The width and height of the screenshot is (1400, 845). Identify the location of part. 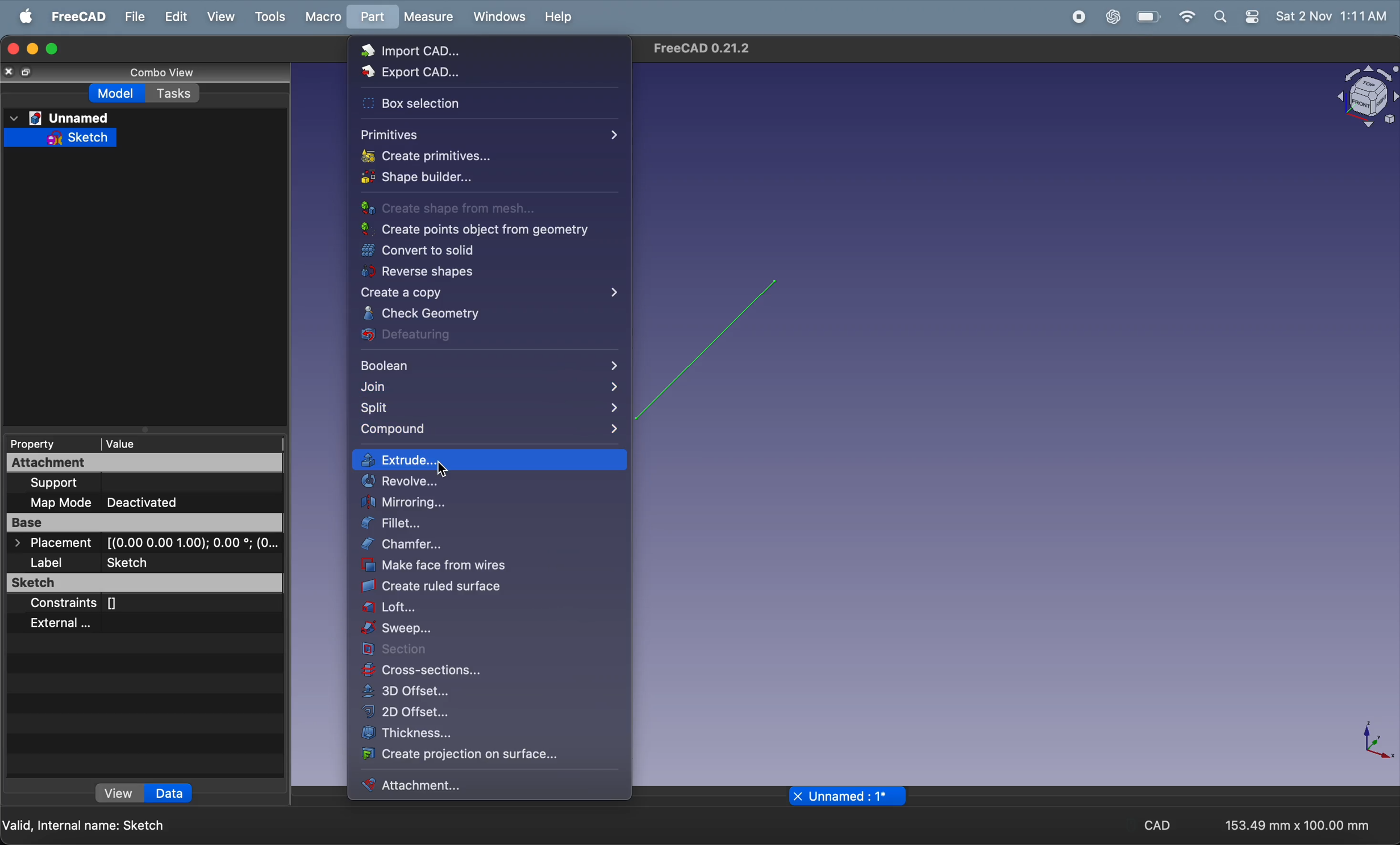
(371, 18).